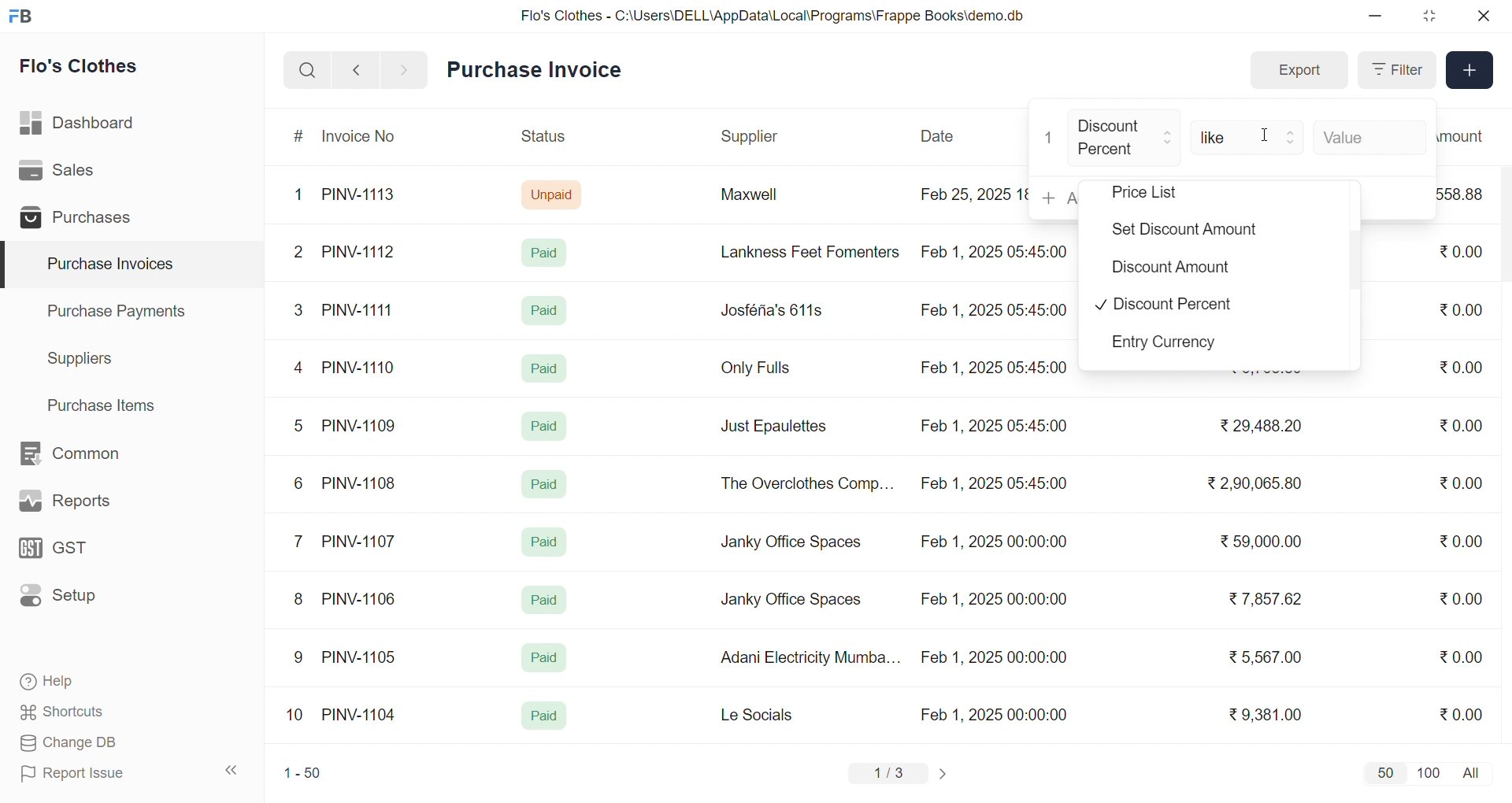 The width and height of the screenshot is (1512, 803). I want to click on 100, so click(1426, 772).